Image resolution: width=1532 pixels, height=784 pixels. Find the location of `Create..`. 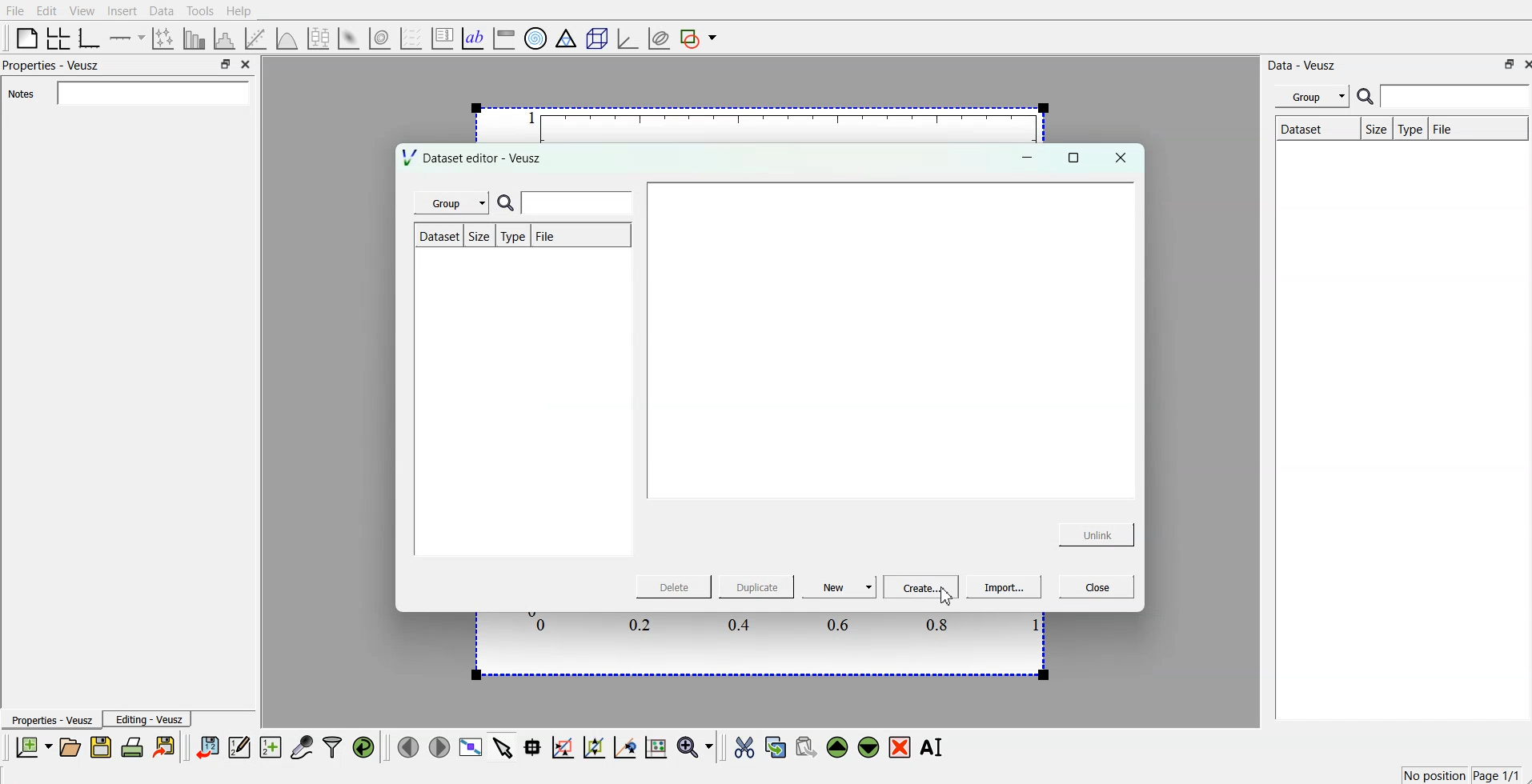

Create.. is located at coordinates (921, 586).